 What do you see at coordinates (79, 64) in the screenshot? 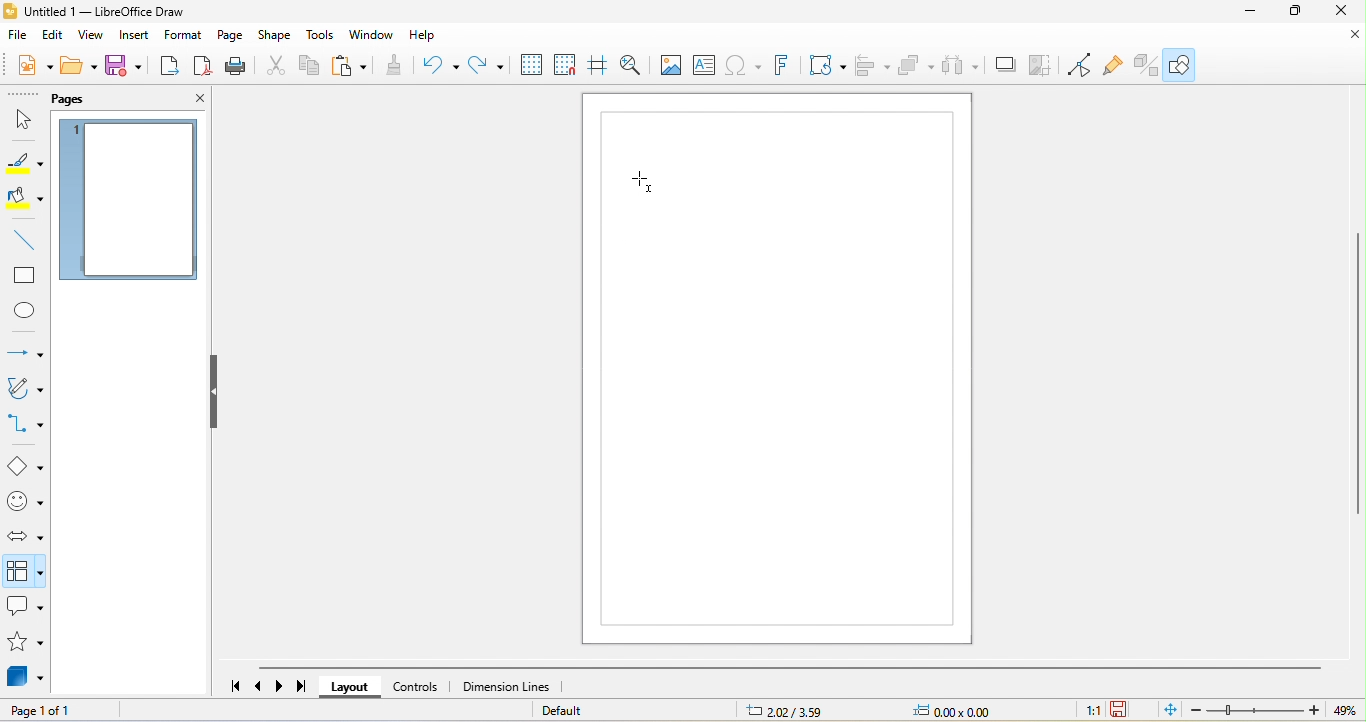
I see `open` at bounding box center [79, 64].